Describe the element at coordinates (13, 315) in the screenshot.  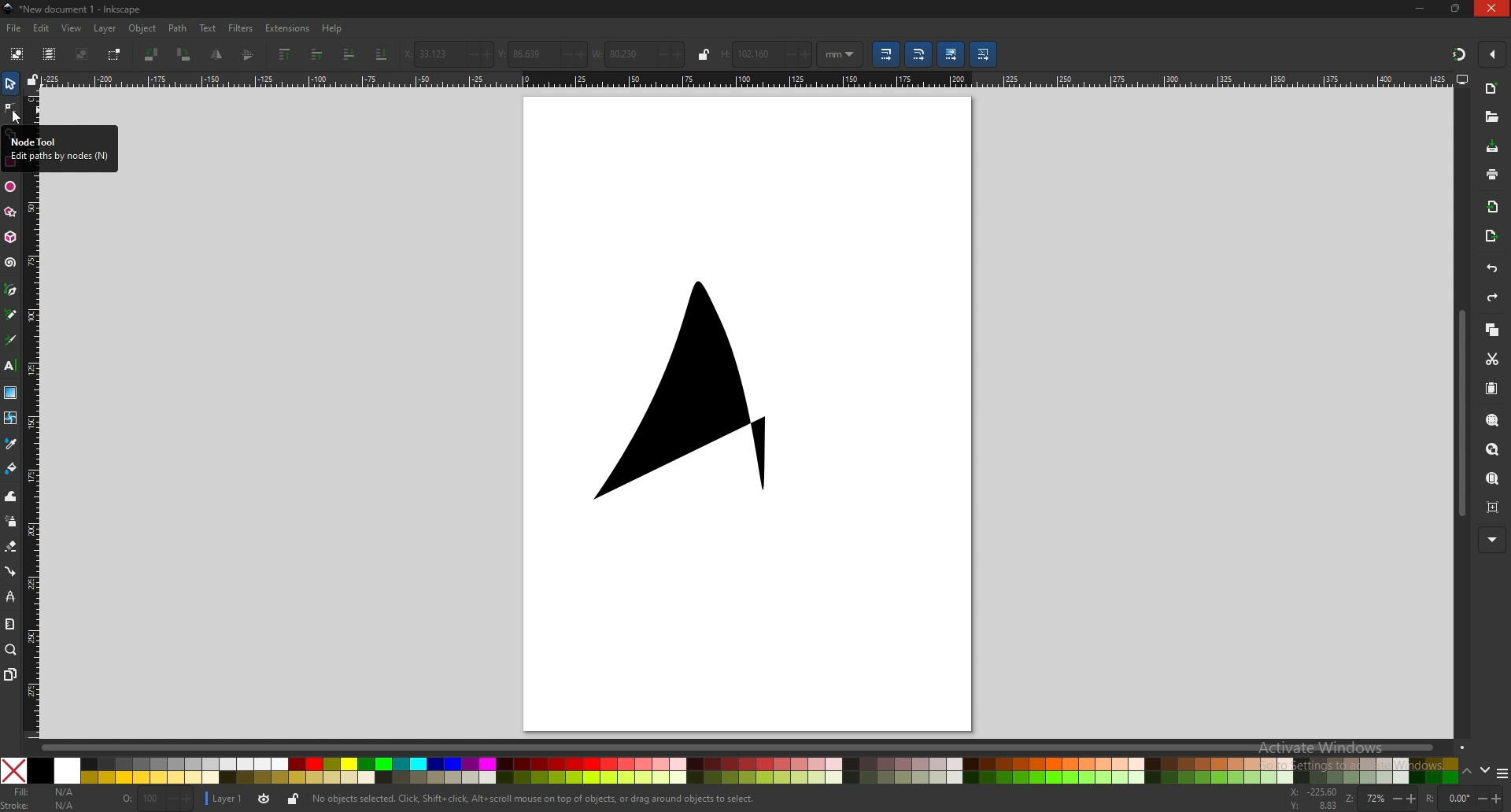
I see `pencil` at that location.